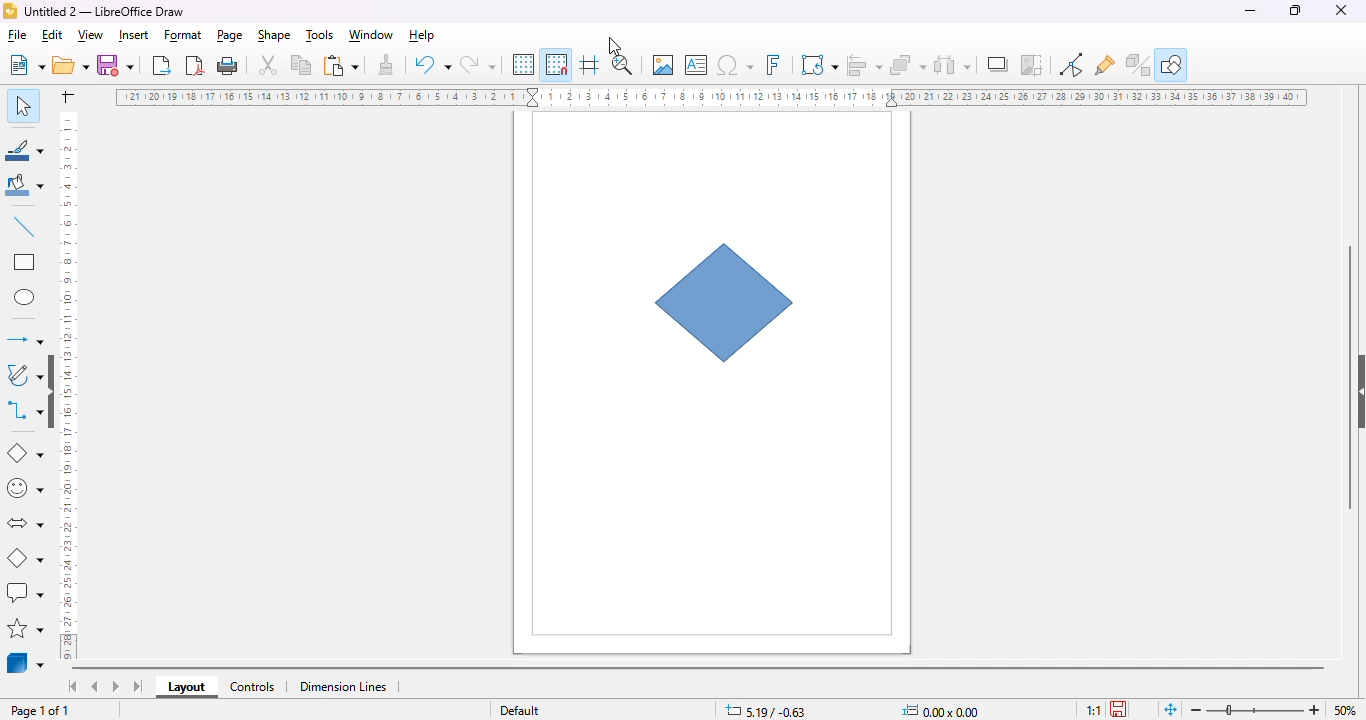  Describe the element at coordinates (26, 66) in the screenshot. I see `new` at that location.